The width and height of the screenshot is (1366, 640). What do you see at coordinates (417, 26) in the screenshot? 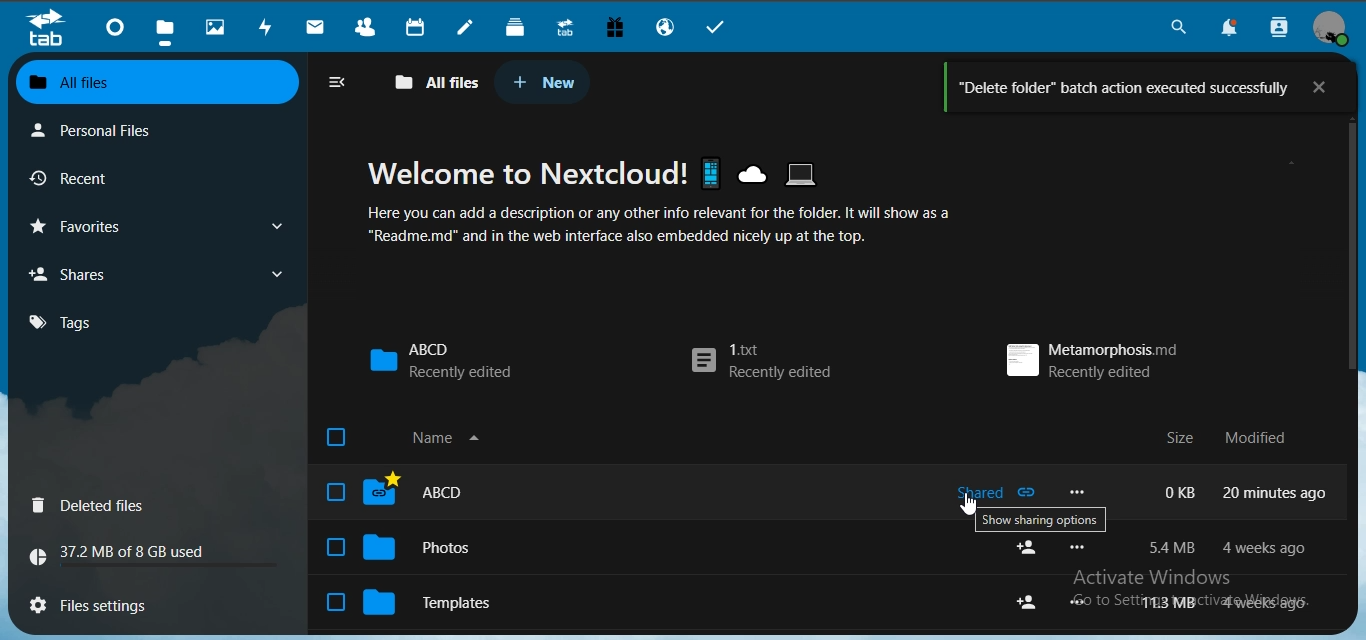
I see `calendar` at bounding box center [417, 26].